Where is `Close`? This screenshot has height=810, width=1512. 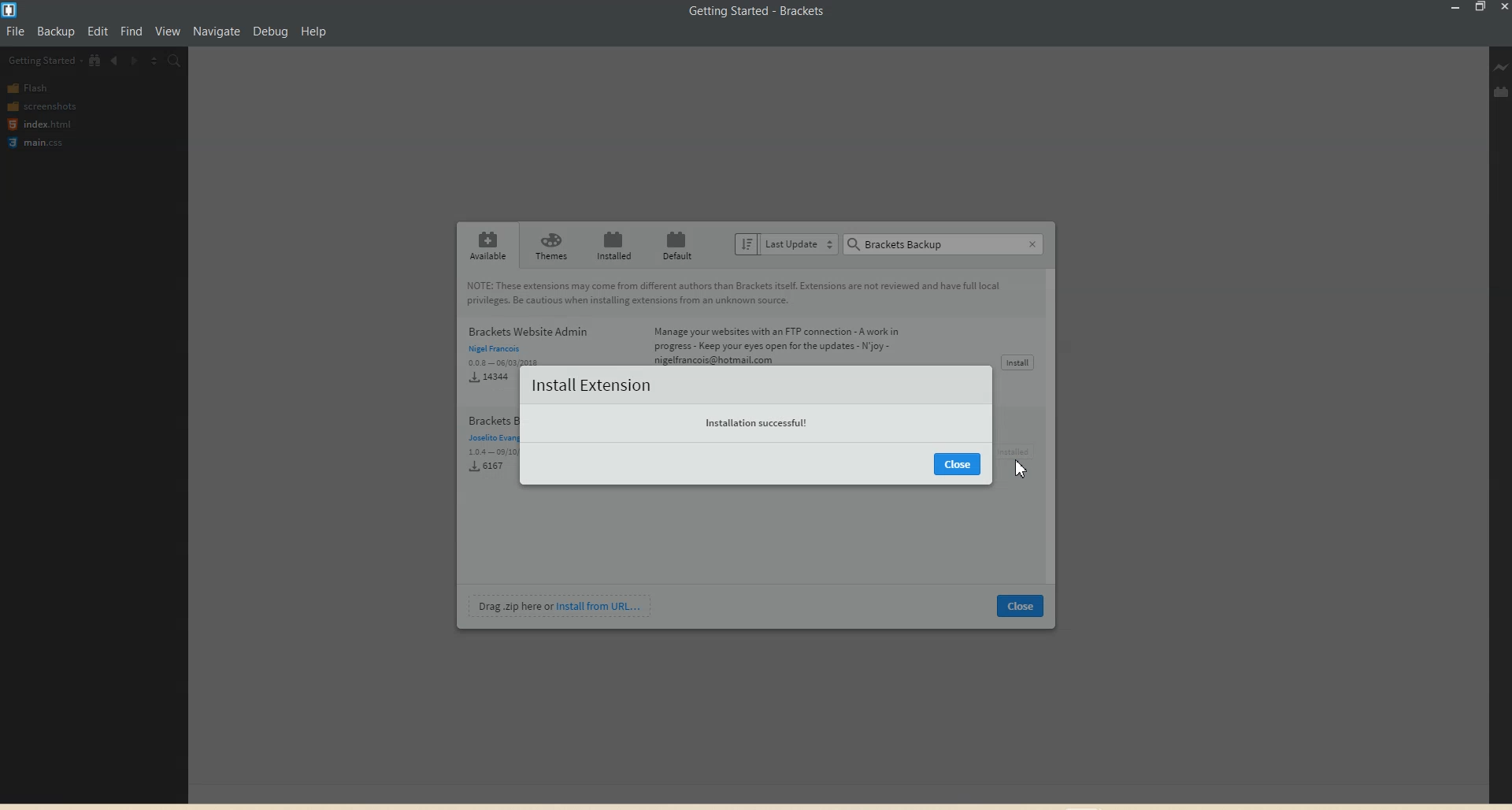 Close is located at coordinates (958, 464).